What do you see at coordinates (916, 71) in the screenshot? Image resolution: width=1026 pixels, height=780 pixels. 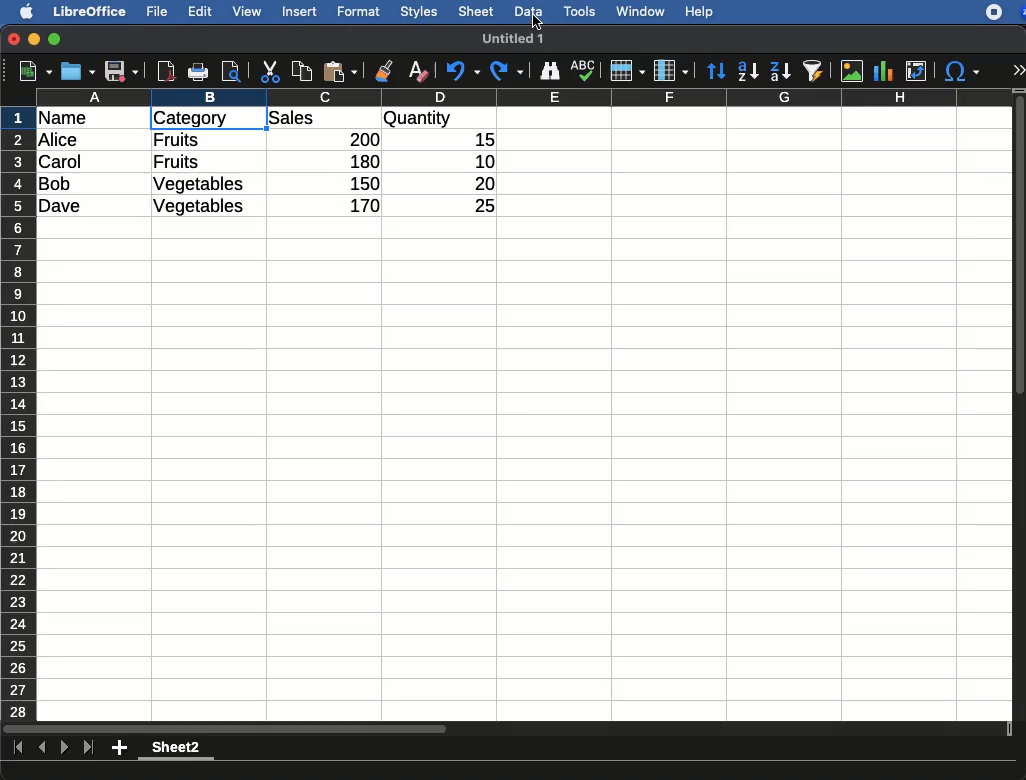 I see `pivot table` at bounding box center [916, 71].